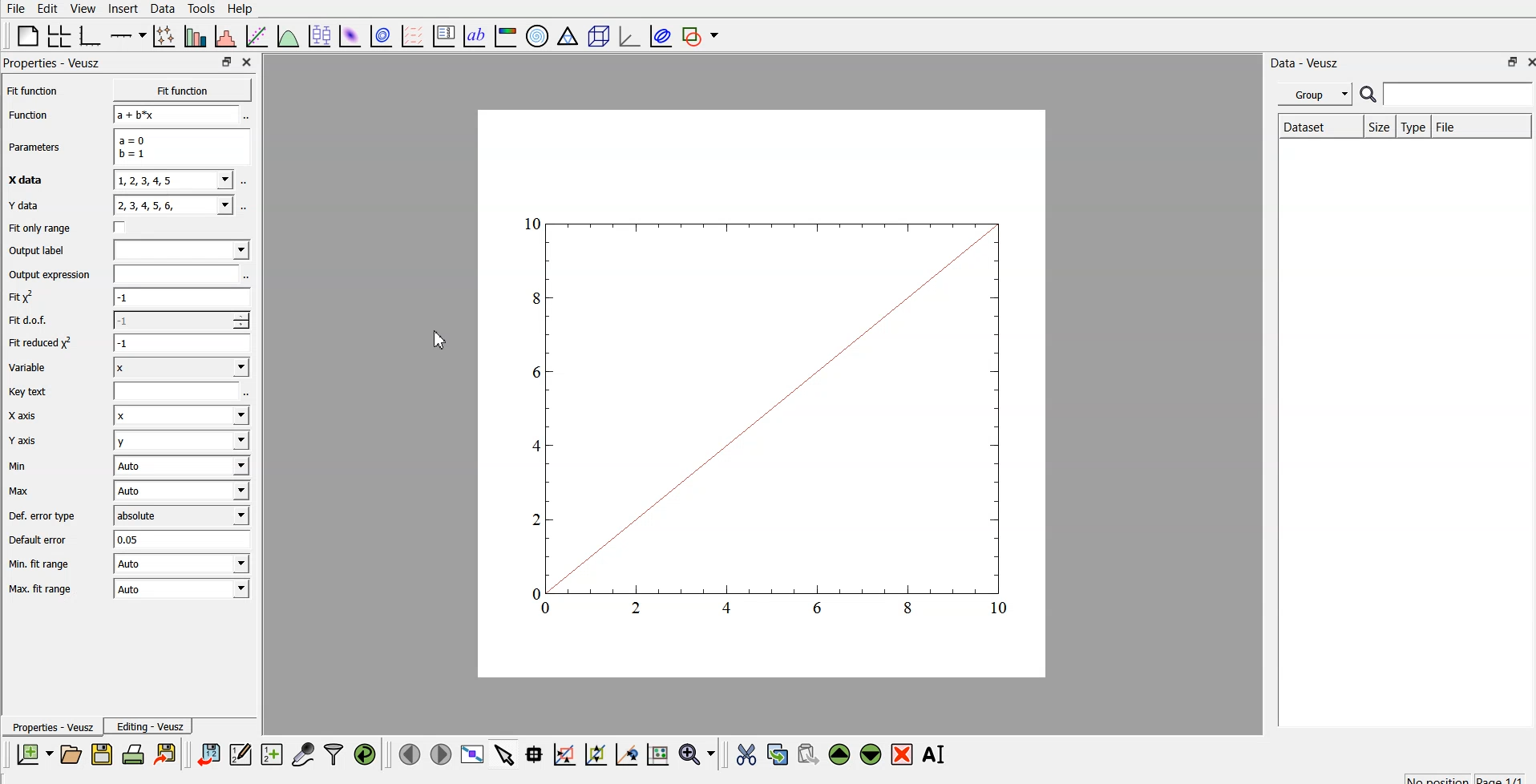 This screenshot has height=784, width=1536. I want to click on plot box plots, so click(320, 37).